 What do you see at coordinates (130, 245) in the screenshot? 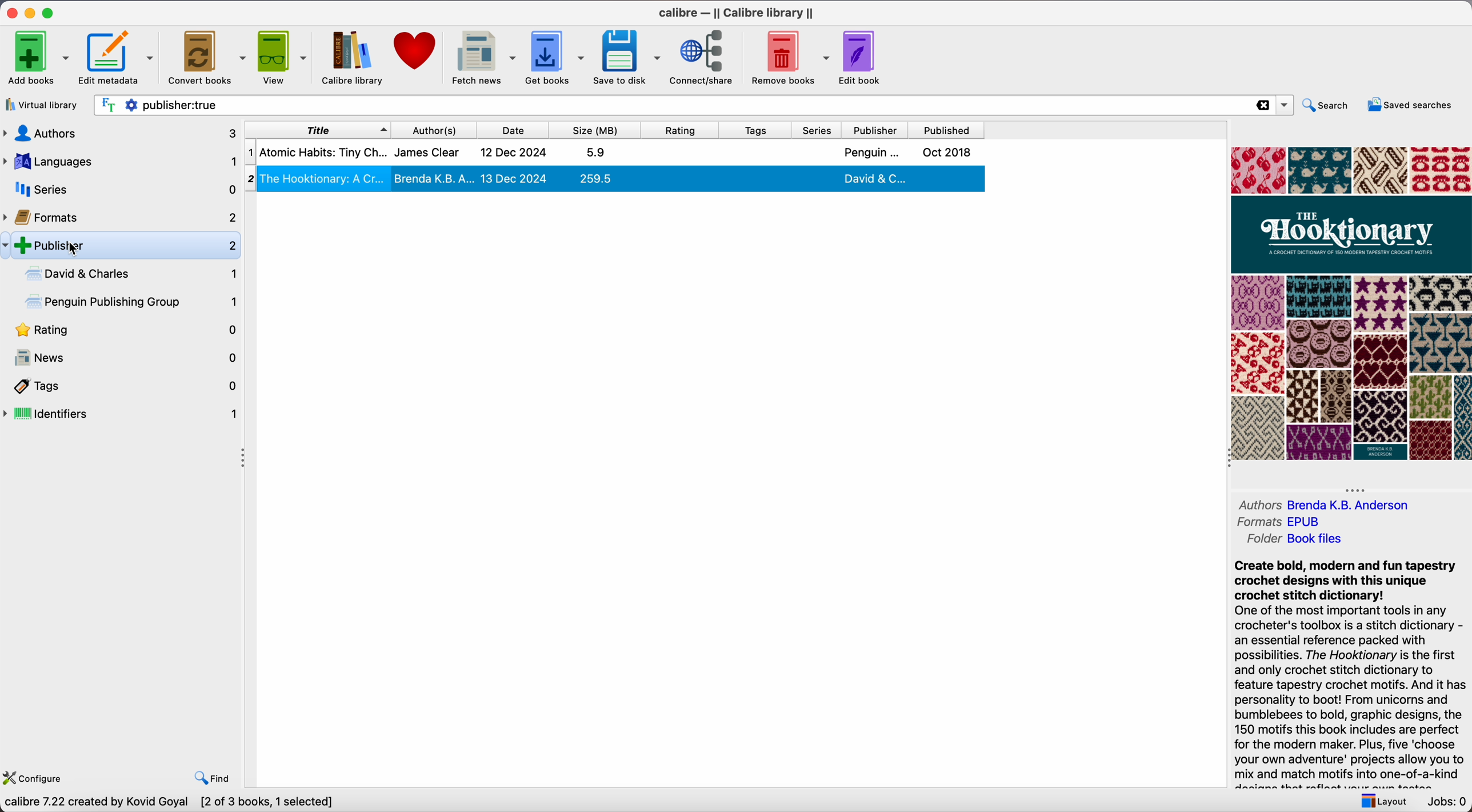
I see `click on publicher options` at bounding box center [130, 245].